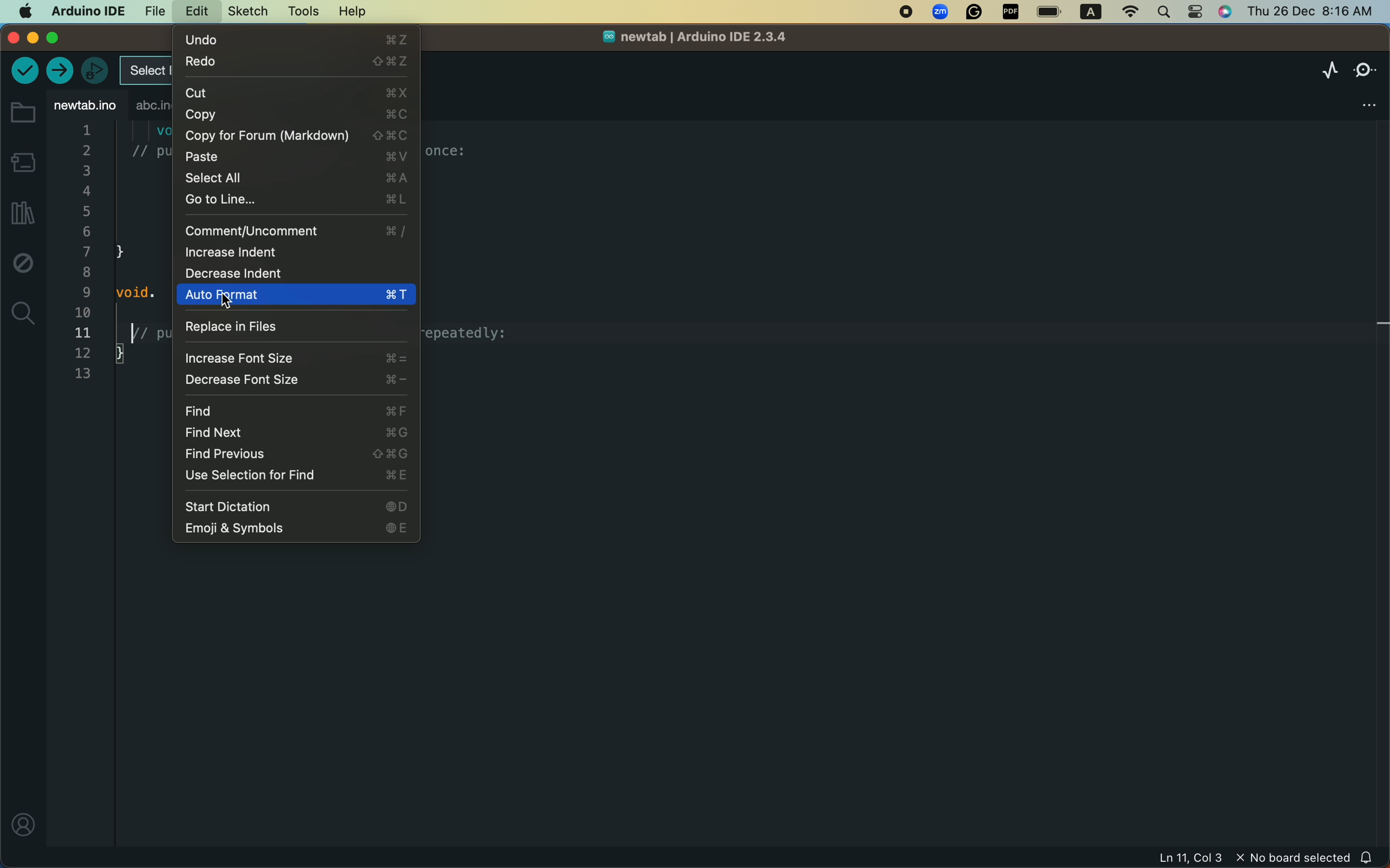 This screenshot has width=1390, height=868. Describe the element at coordinates (24, 72) in the screenshot. I see `verify` at that location.